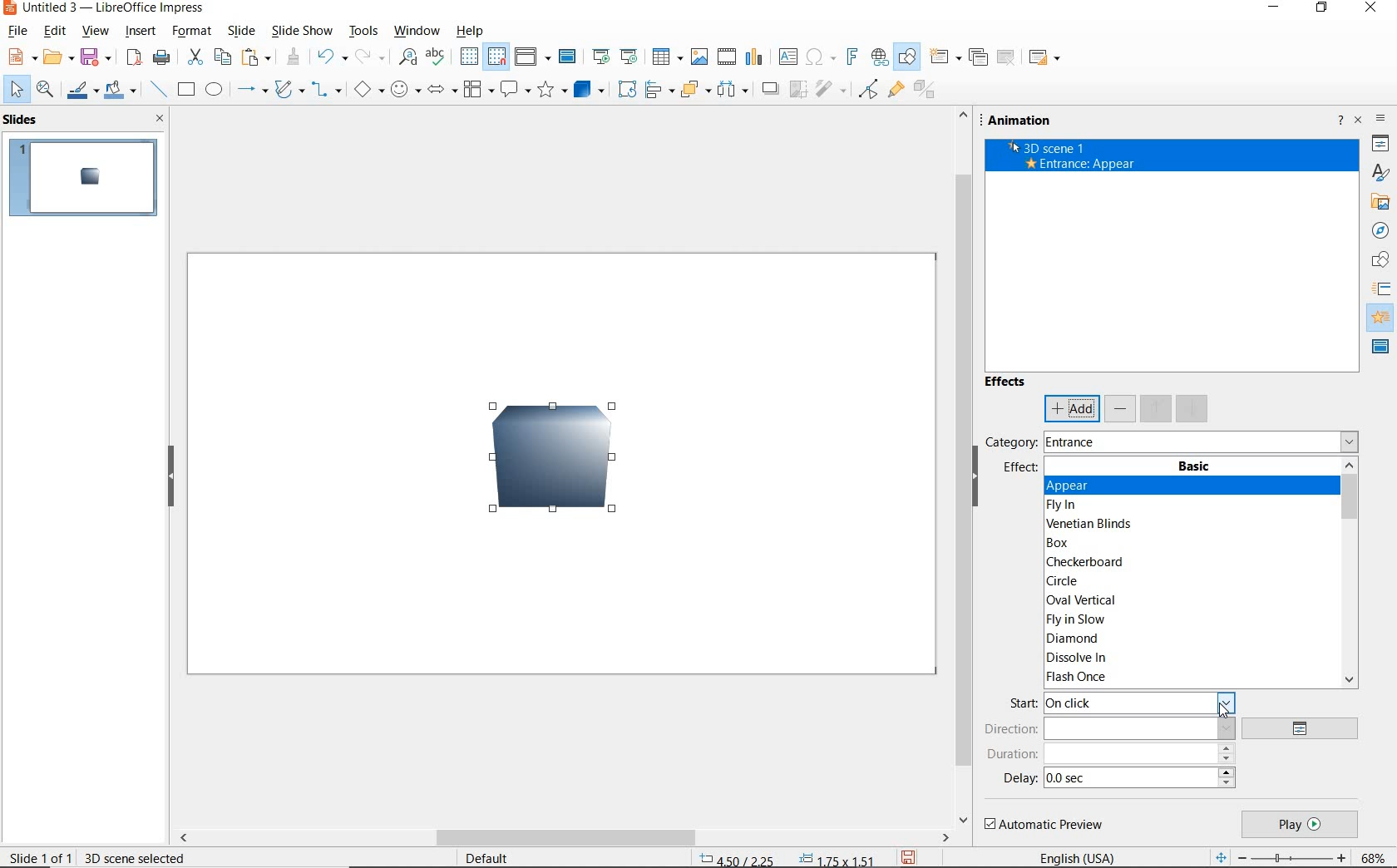  What do you see at coordinates (99, 56) in the screenshot?
I see `save` at bounding box center [99, 56].